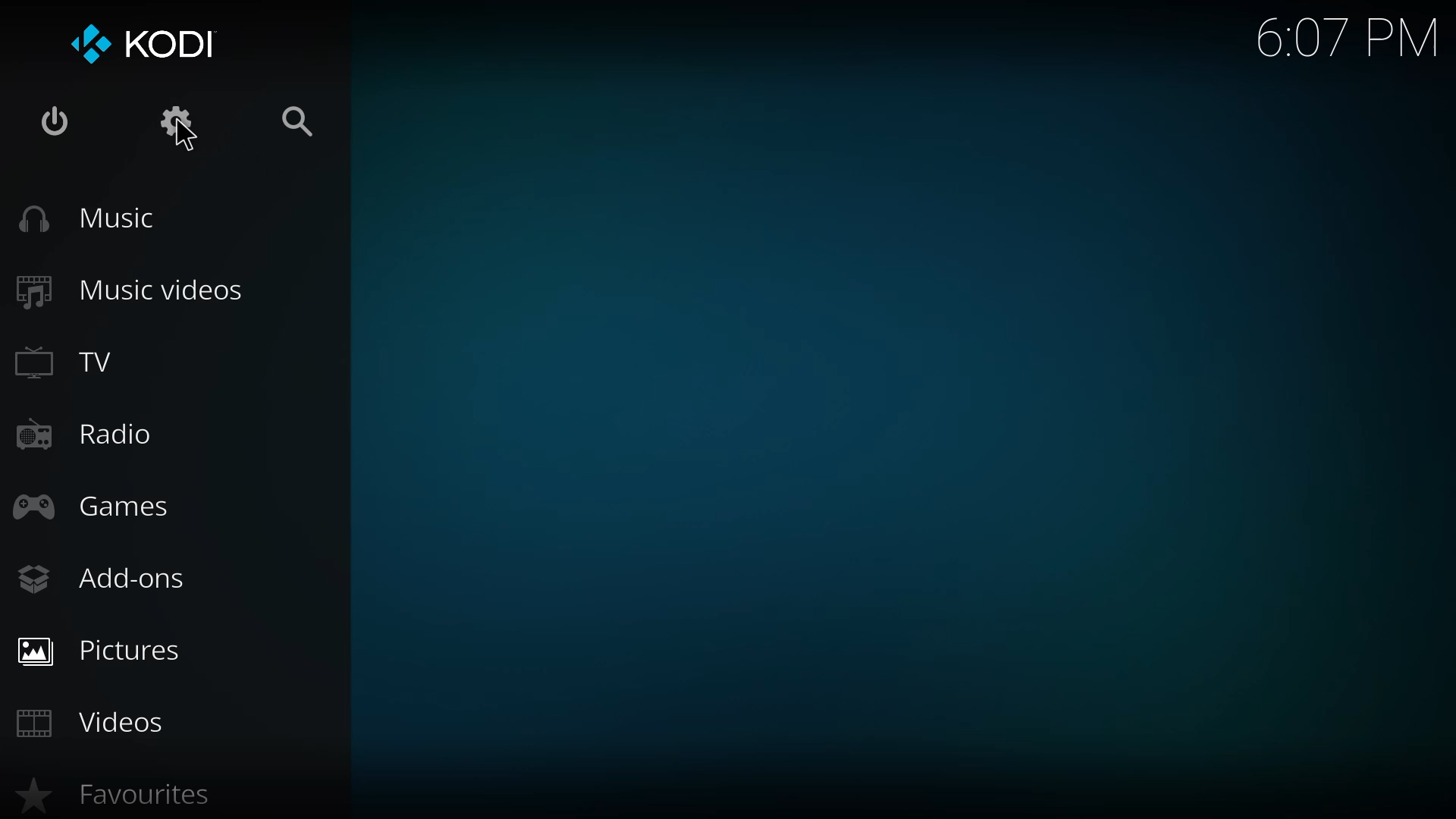  What do you see at coordinates (106, 648) in the screenshot?
I see `pictures` at bounding box center [106, 648].